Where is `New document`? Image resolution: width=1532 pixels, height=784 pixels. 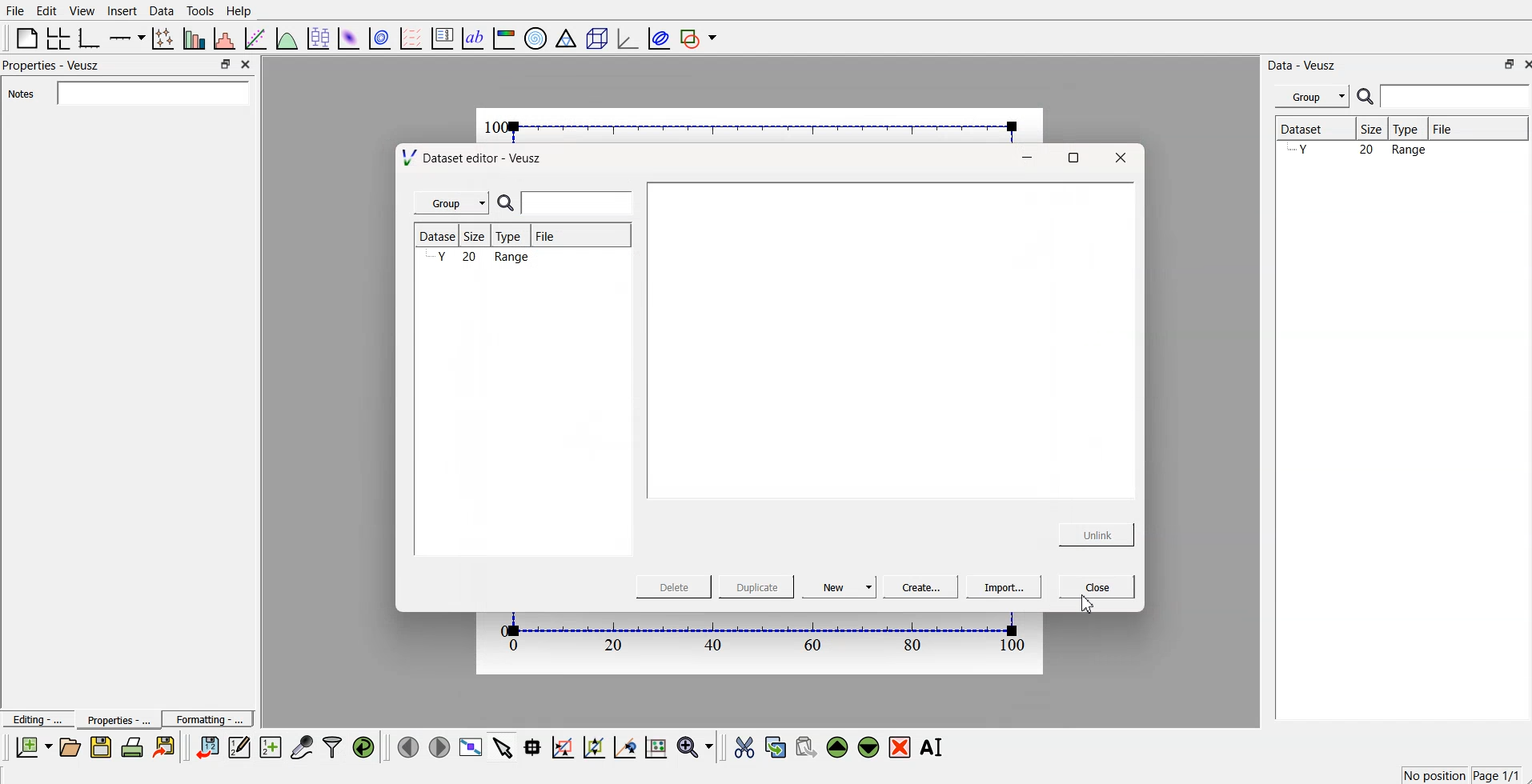 New document is located at coordinates (34, 747).